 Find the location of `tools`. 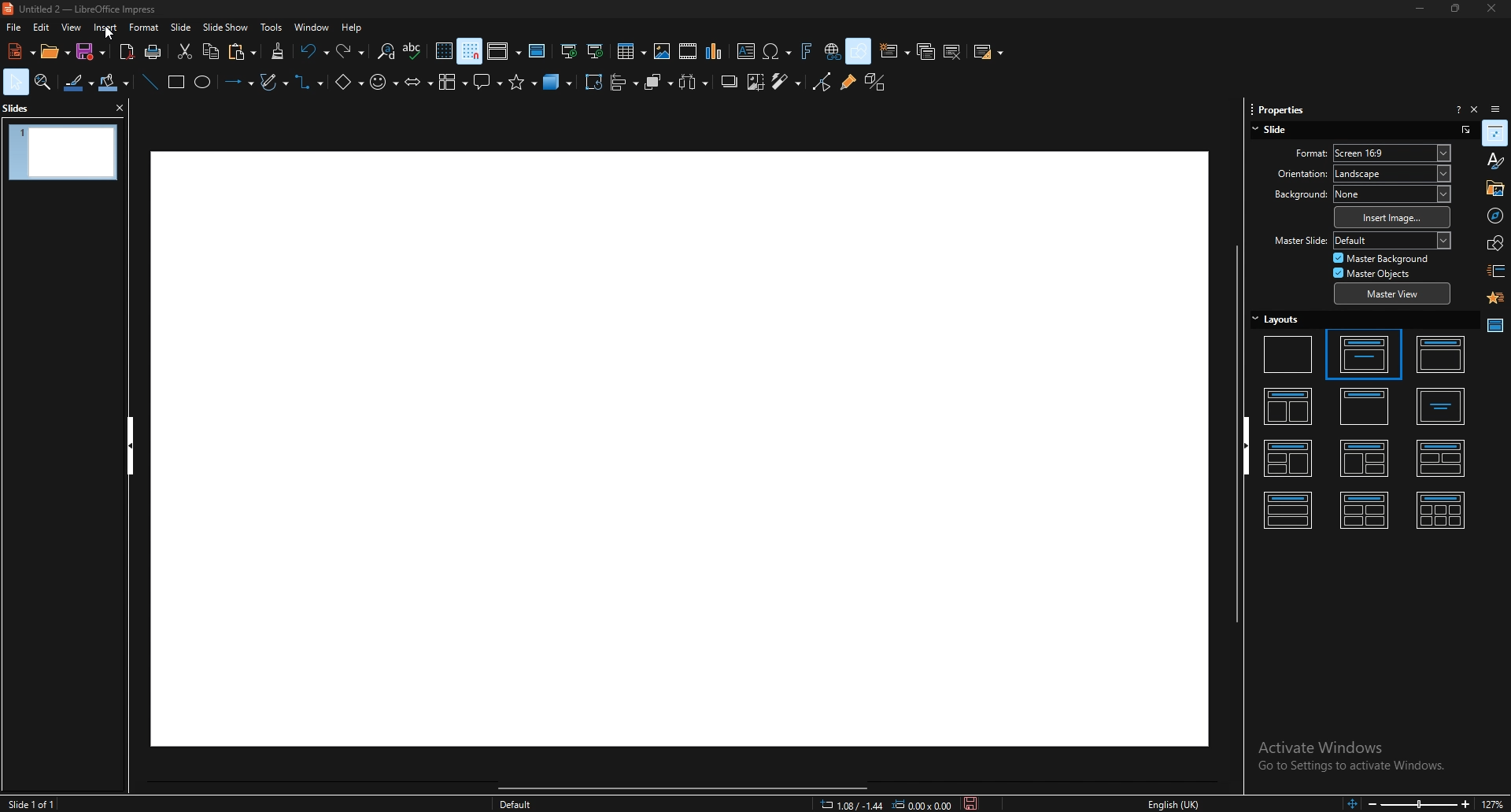

tools is located at coordinates (272, 27).